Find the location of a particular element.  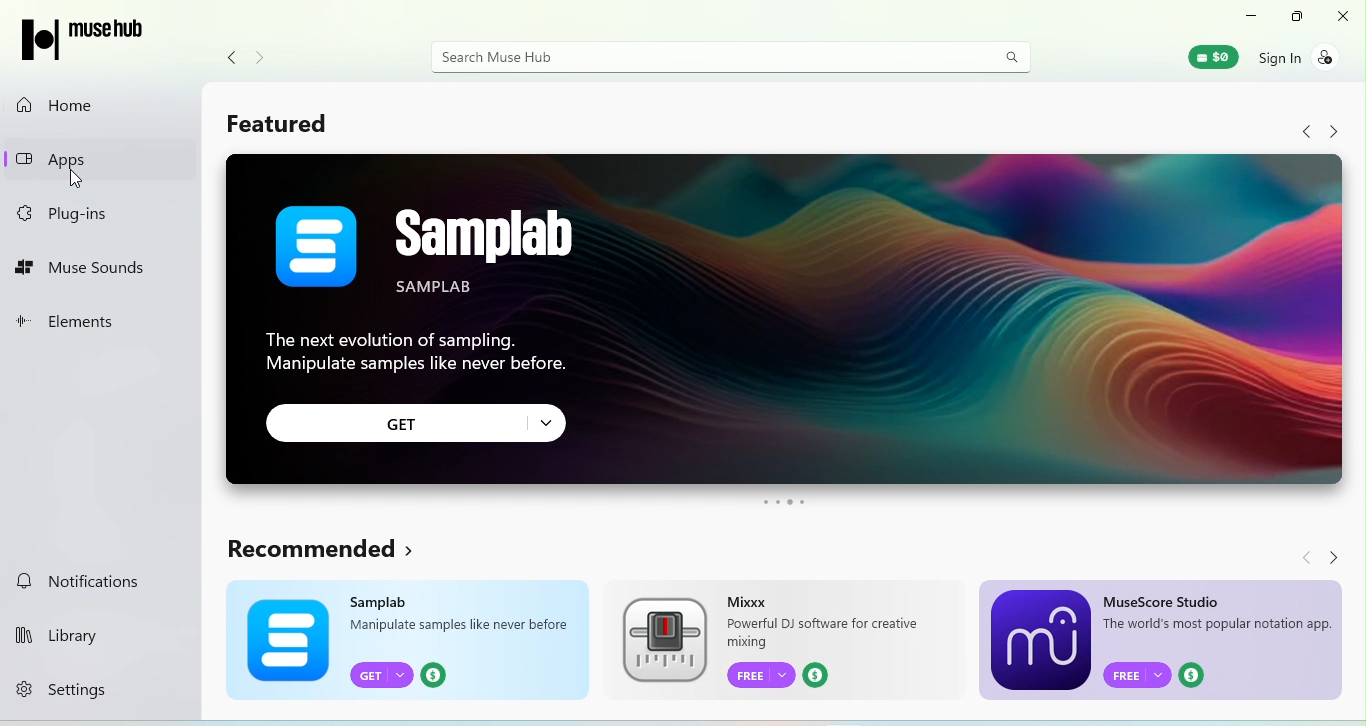

Buy Now is located at coordinates (1198, 674).